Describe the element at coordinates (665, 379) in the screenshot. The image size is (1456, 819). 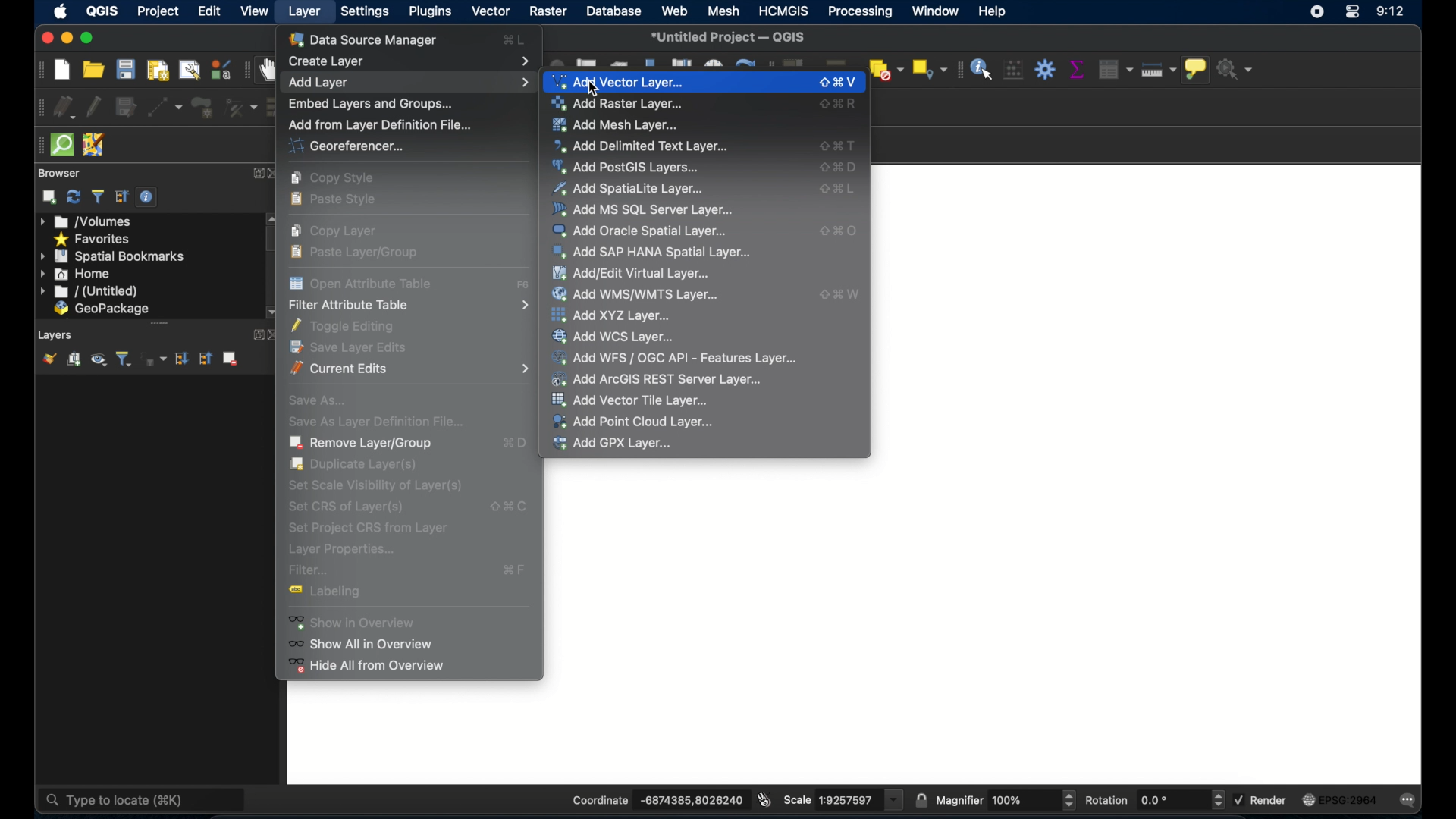
I see `Add ArcGIS REST Server Layer...` at that location.